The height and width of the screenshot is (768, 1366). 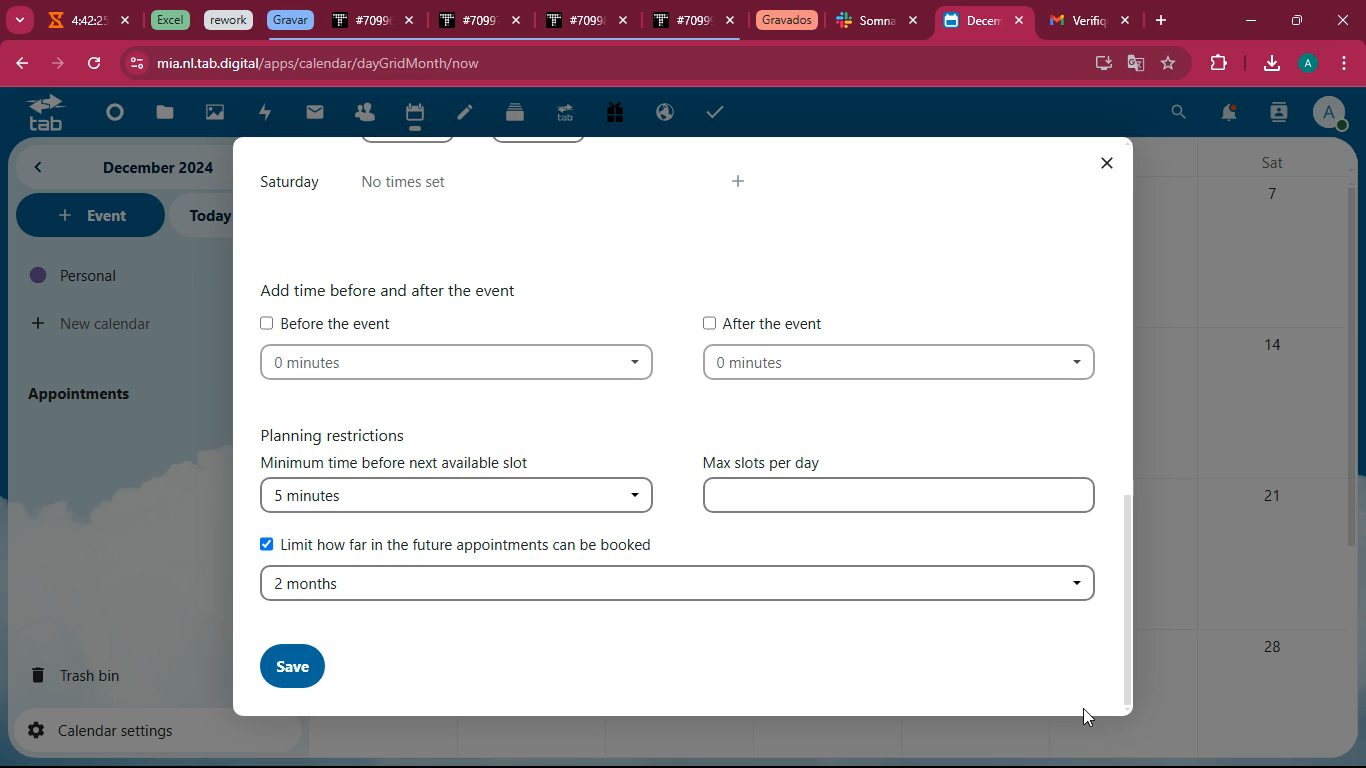 What do you see at coordinates (1295, 18) in the screenshot?
I see `maximize` at bounding box center [1295, 18].